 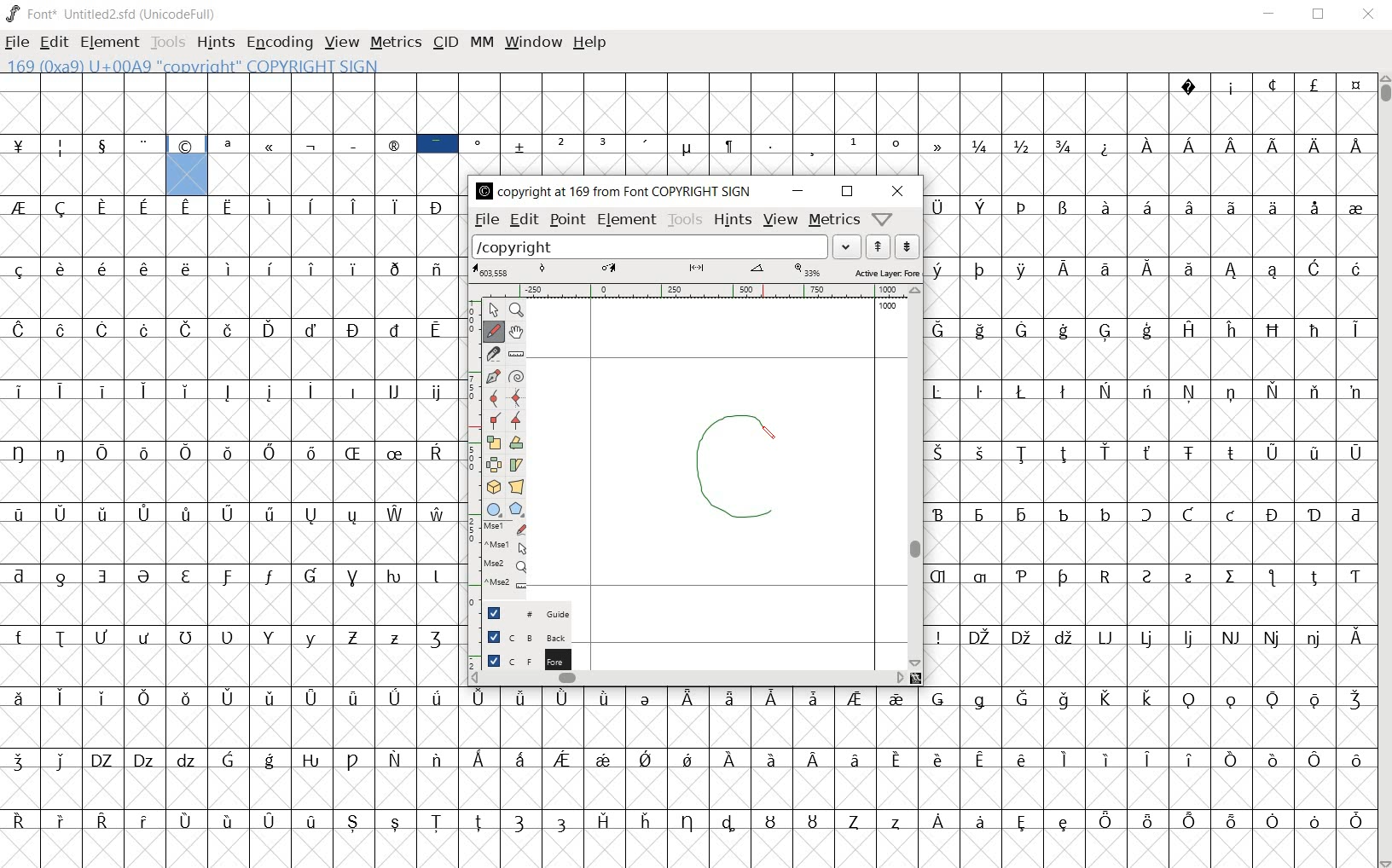 What do you see at coordinates (797, 191) in the screenshot?
I see `minimize` at bounding box center [797, 191].